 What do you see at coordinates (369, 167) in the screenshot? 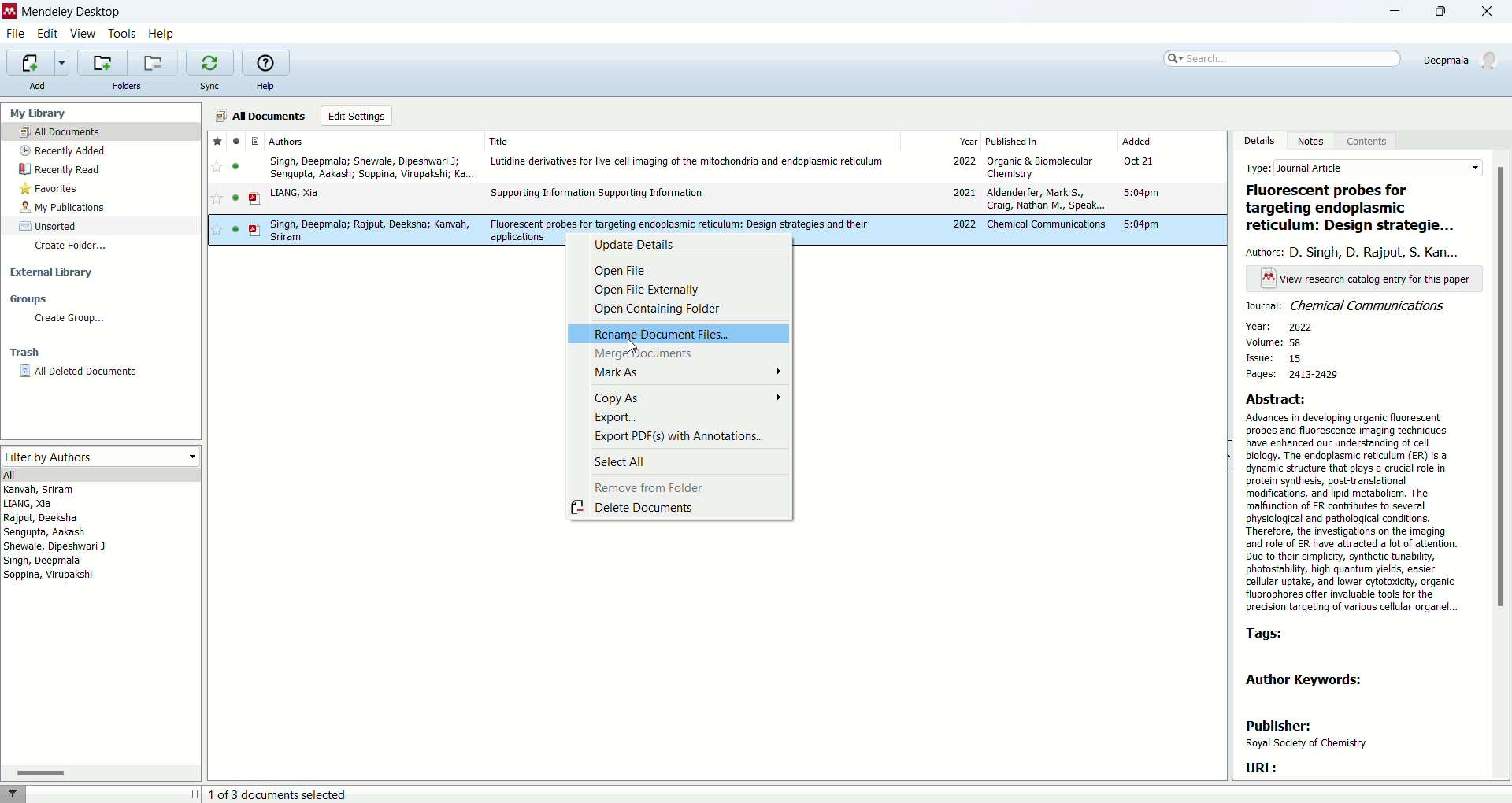
I see `Singh, Deepmala; Shewale, Dipeshwari J;
Sengupta, Aakash; Soppina, Virupakshi; Ka...` at bounding box center [369, 167].